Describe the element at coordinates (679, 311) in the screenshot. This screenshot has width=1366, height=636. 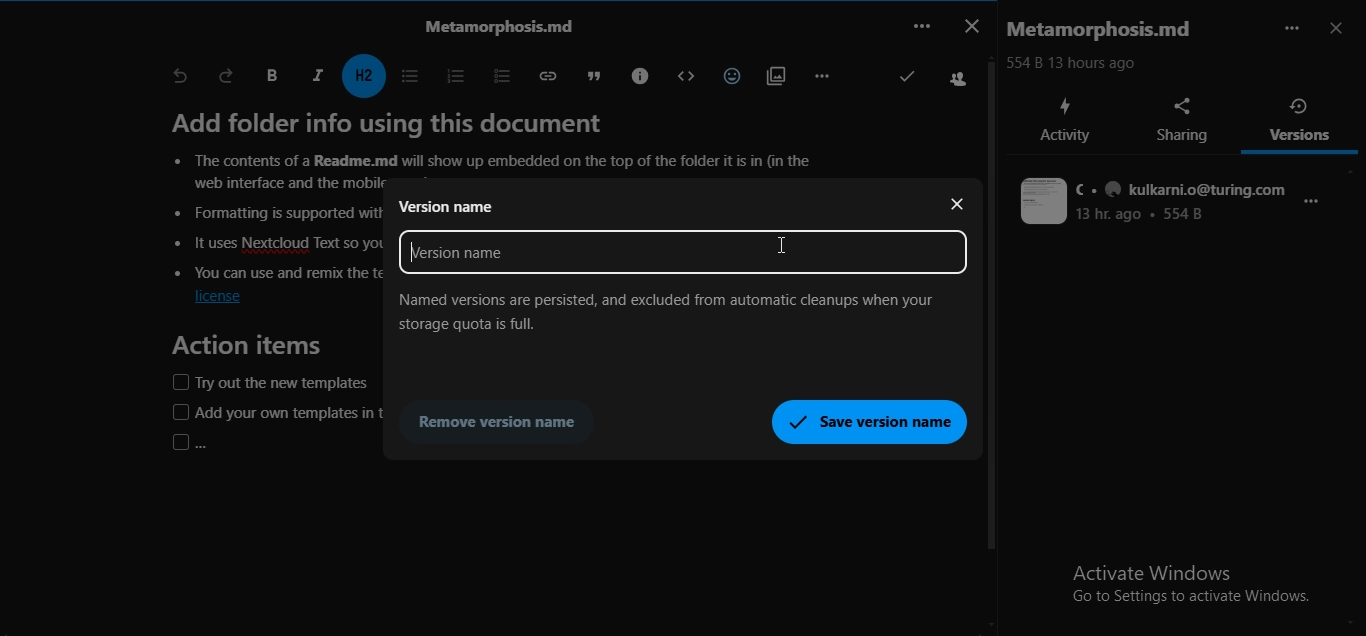
I see `text` at that location.